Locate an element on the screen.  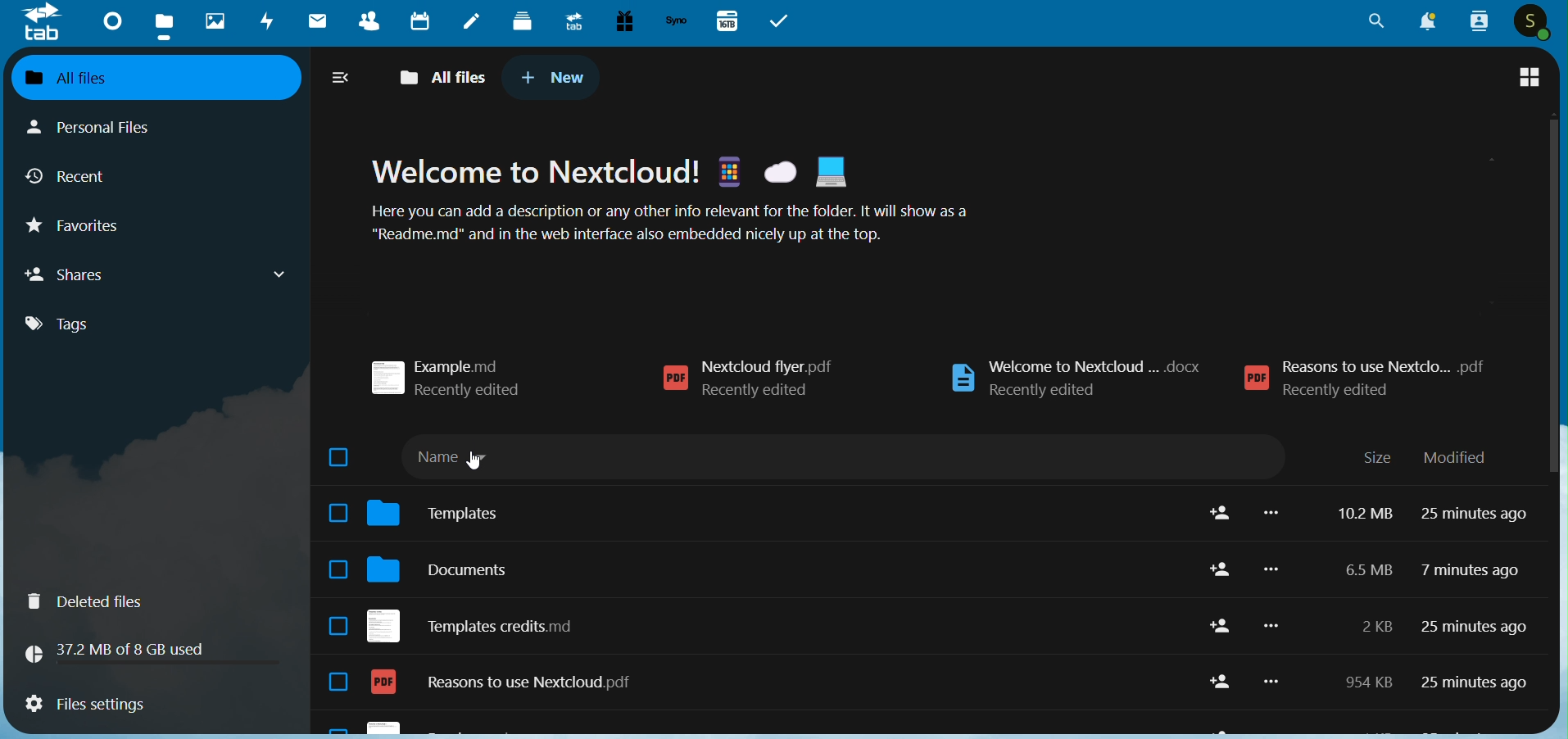
welcome to nextcloud... docx recently edited is located at coordinates (1088, 374).